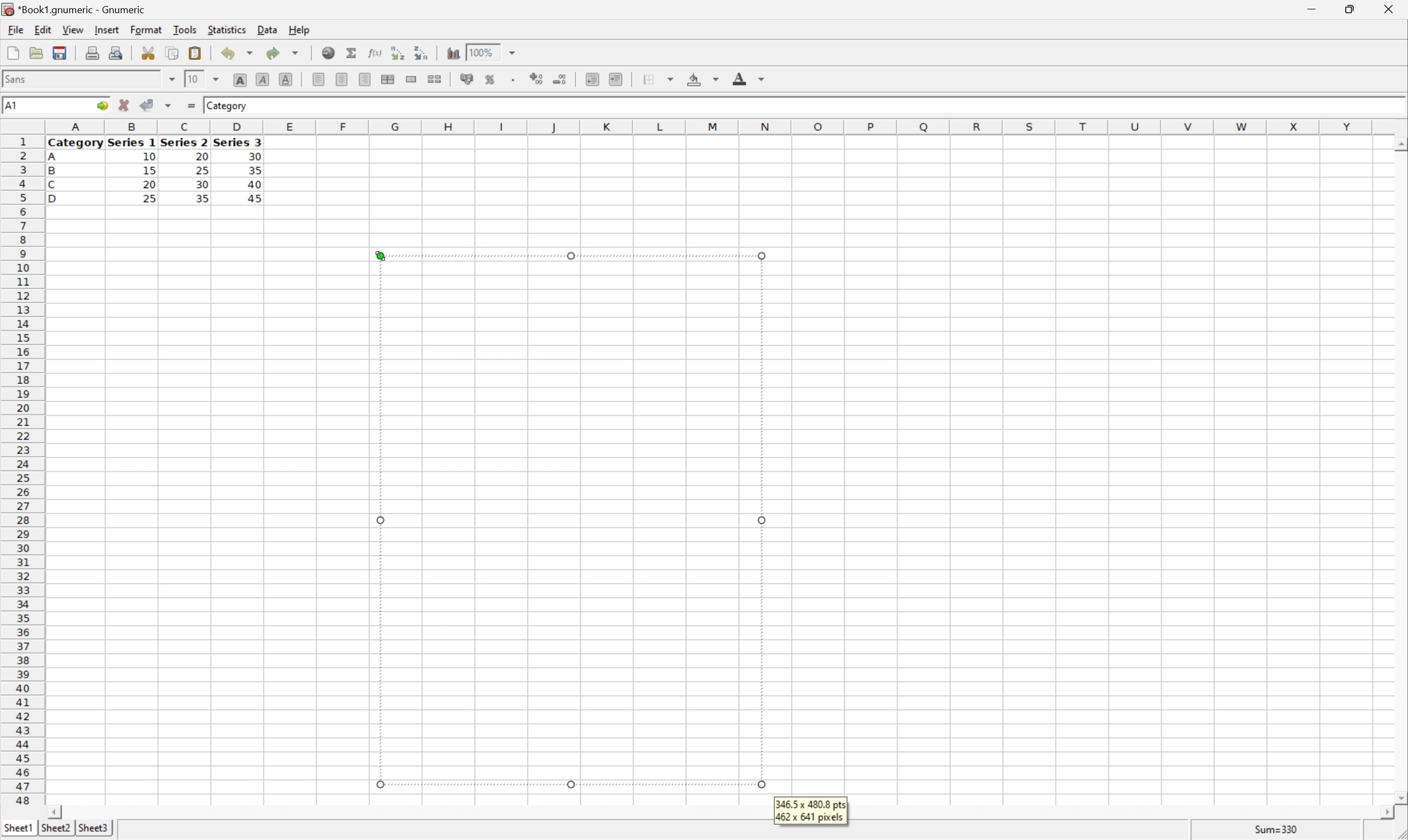 The image size is (1408, 840). I want to click on selected area, so click(571, 521).